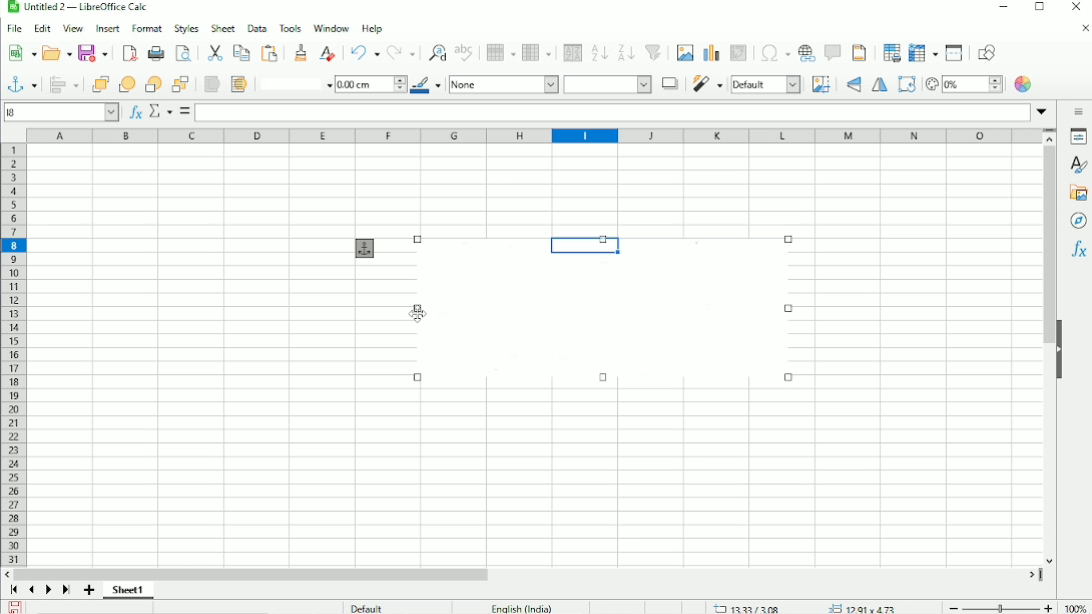  What do you see at coordinates (851, 85) in the screenshot?
I see `Flip vertically` at bounding box center [851, 85].